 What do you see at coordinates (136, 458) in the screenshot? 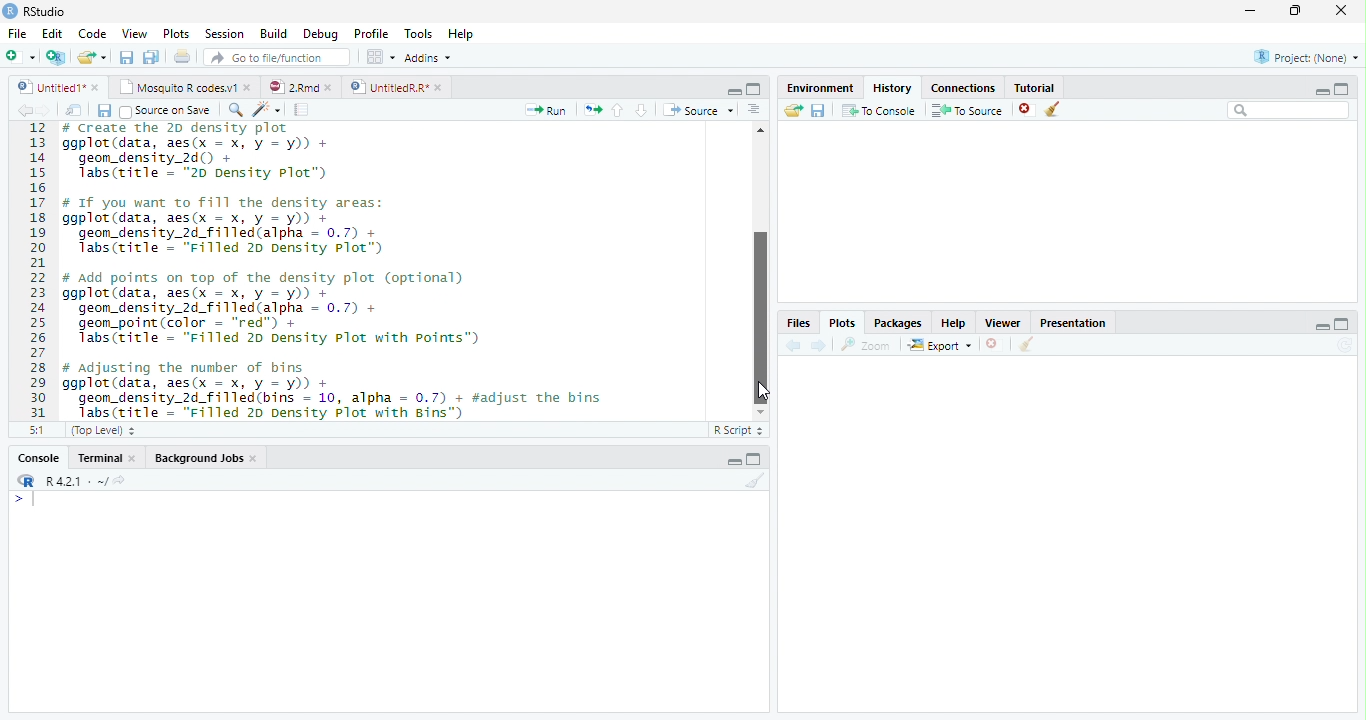
I see `close` at bounding box center [136, 458].